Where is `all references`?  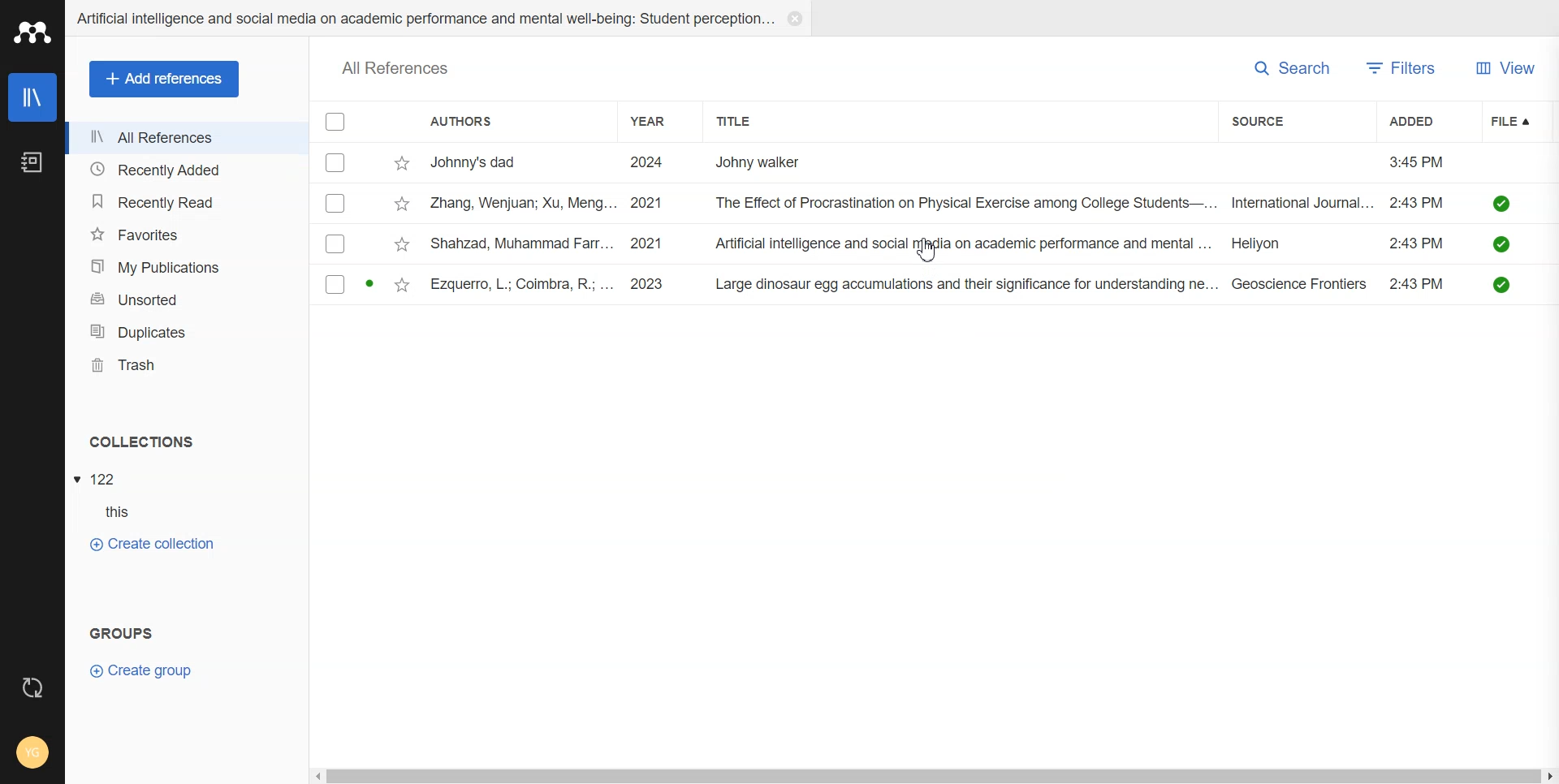 all references is located at coordinates (395, 70).